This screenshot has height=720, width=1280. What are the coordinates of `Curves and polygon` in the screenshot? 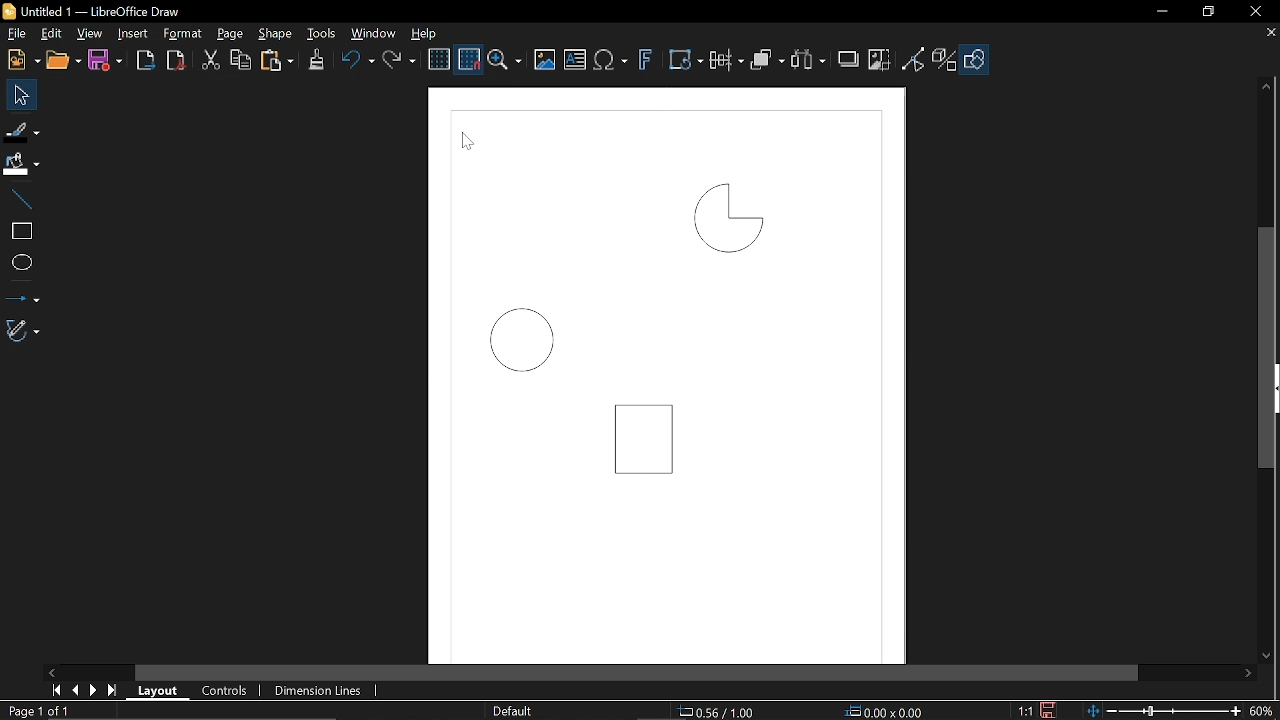 It's located at (22, 332).